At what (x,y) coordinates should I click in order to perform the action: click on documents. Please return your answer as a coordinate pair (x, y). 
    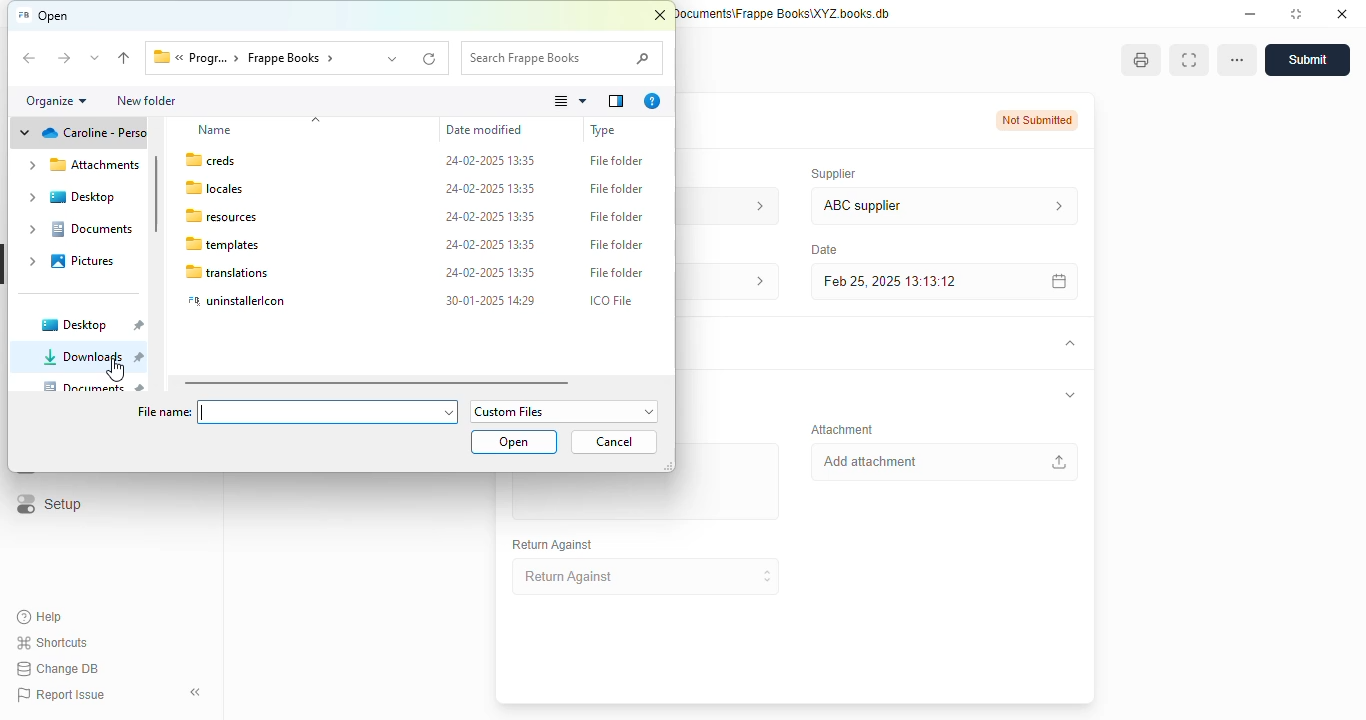
    Looking at the image, I should click on (95, 386).